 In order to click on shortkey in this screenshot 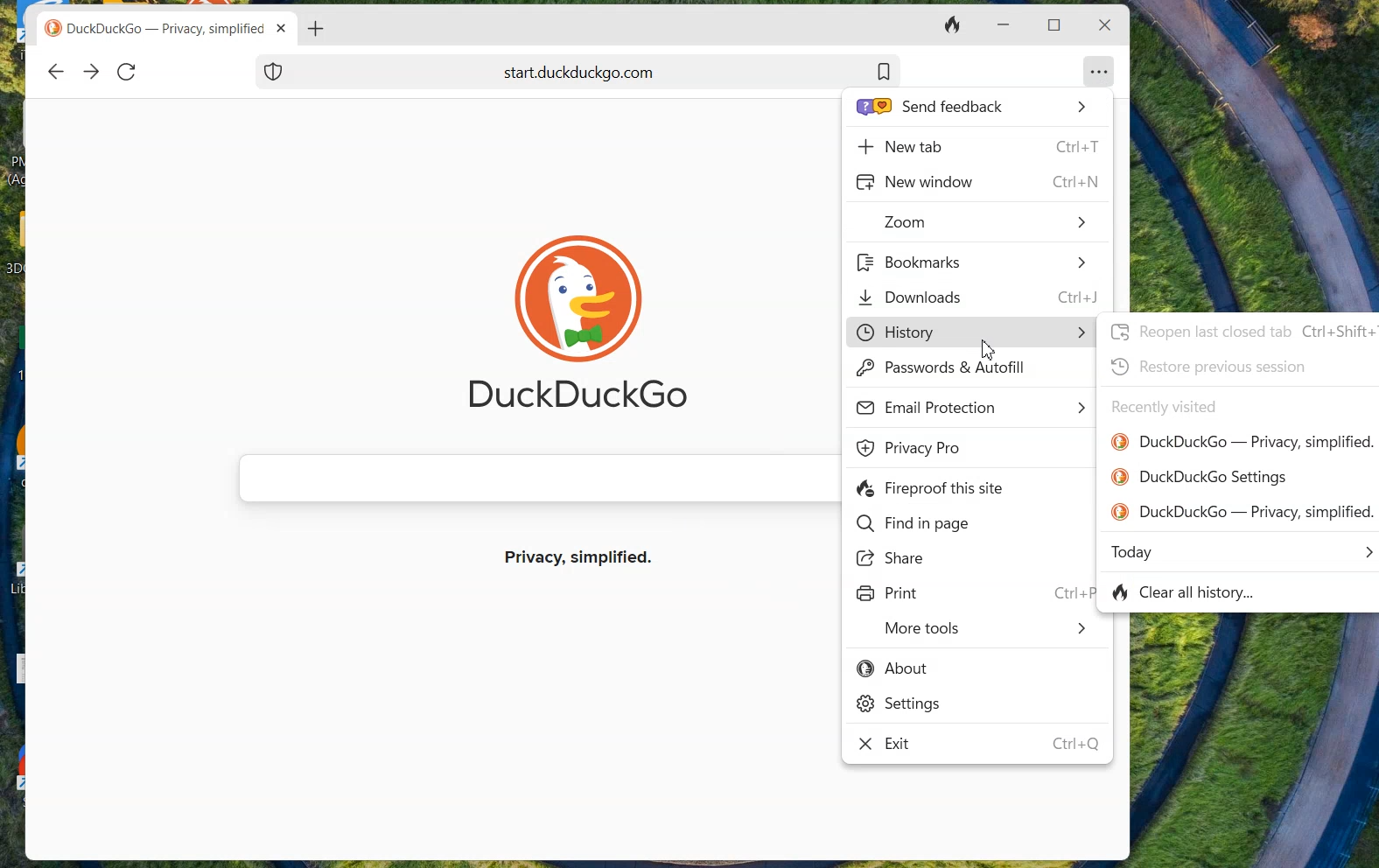, I will do `click(1067, 591)`.